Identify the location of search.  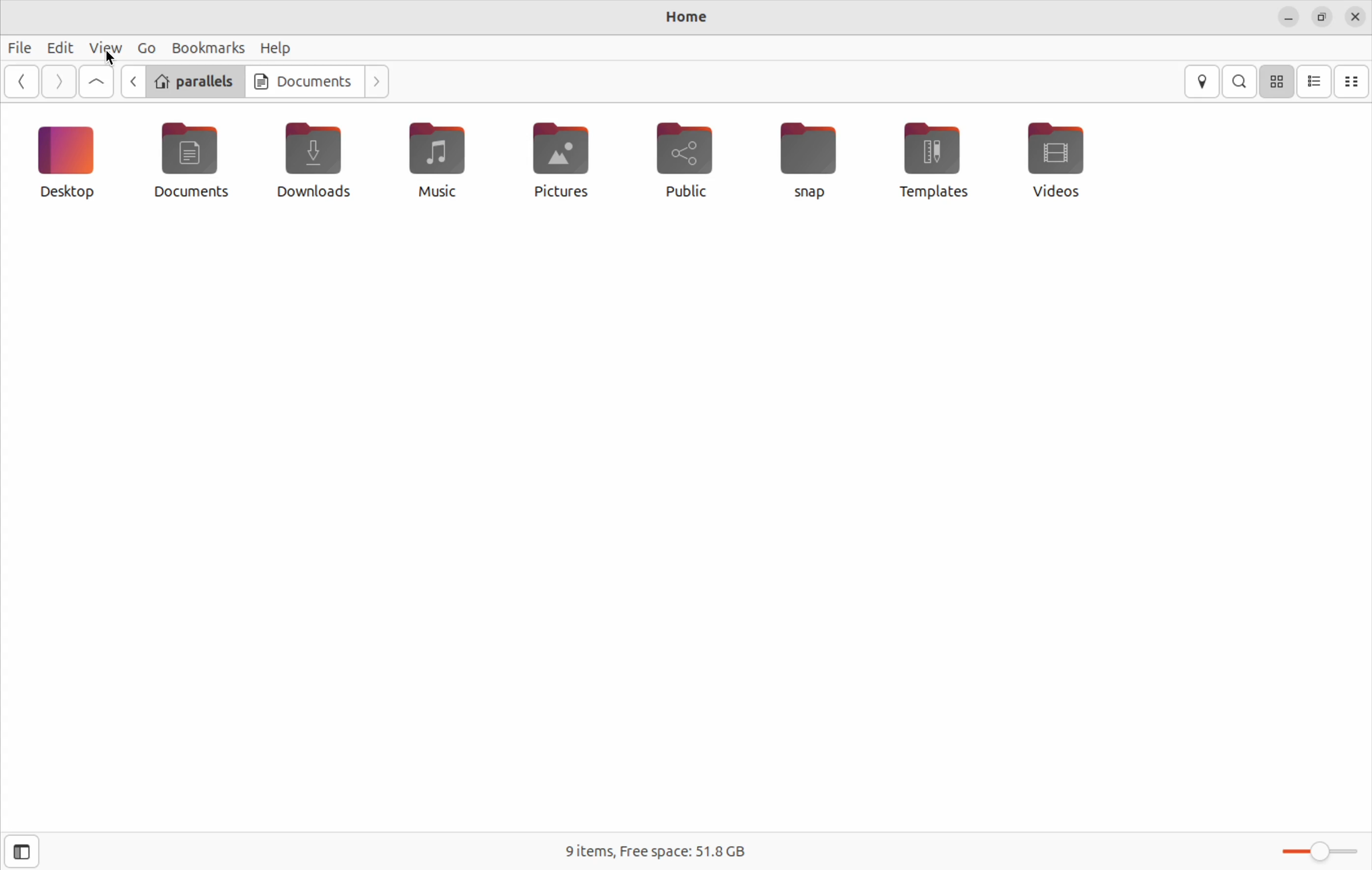
(1239, 81).